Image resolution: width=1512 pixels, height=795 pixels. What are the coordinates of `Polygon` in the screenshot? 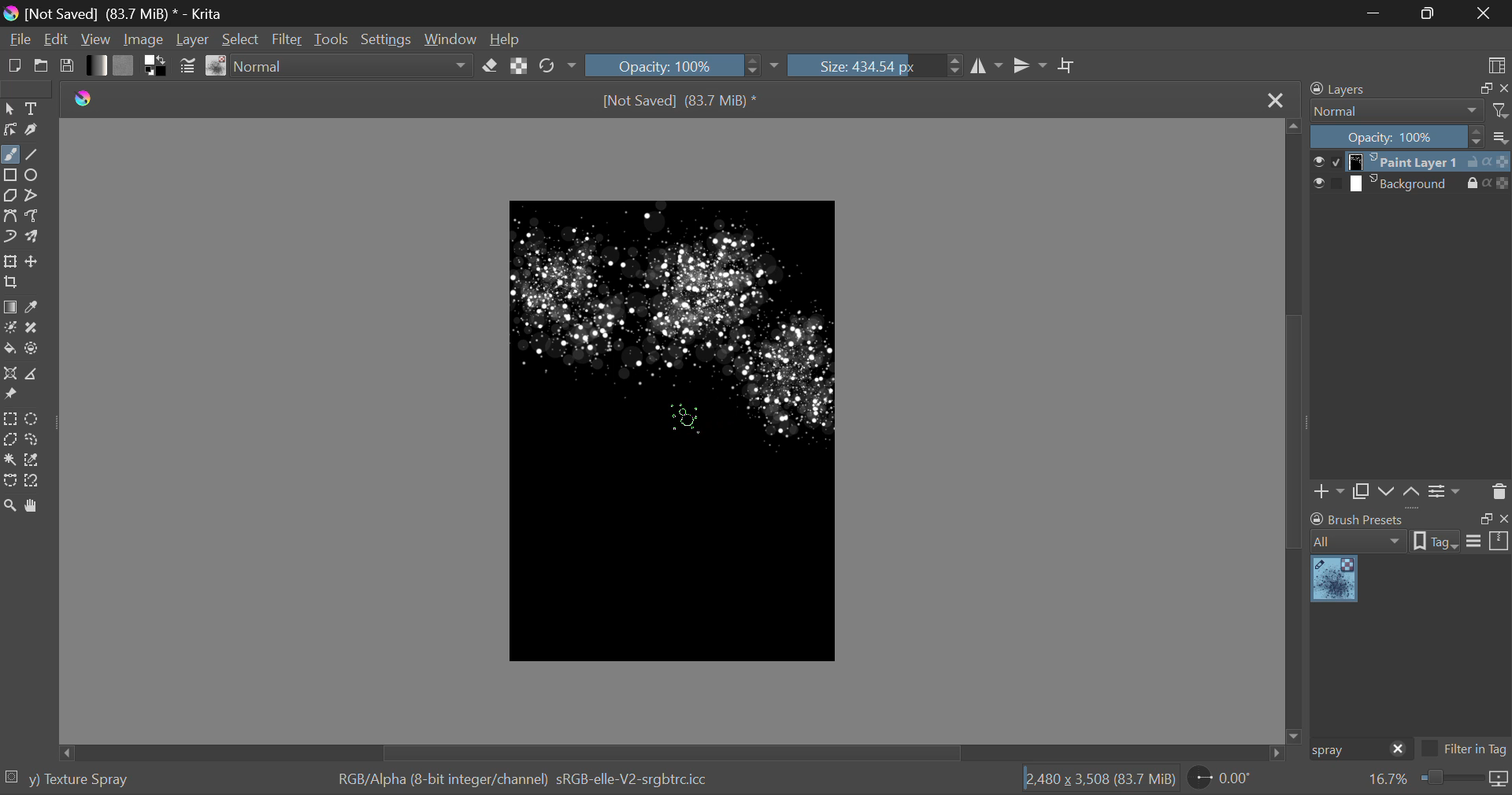 It's located at (11, 197).